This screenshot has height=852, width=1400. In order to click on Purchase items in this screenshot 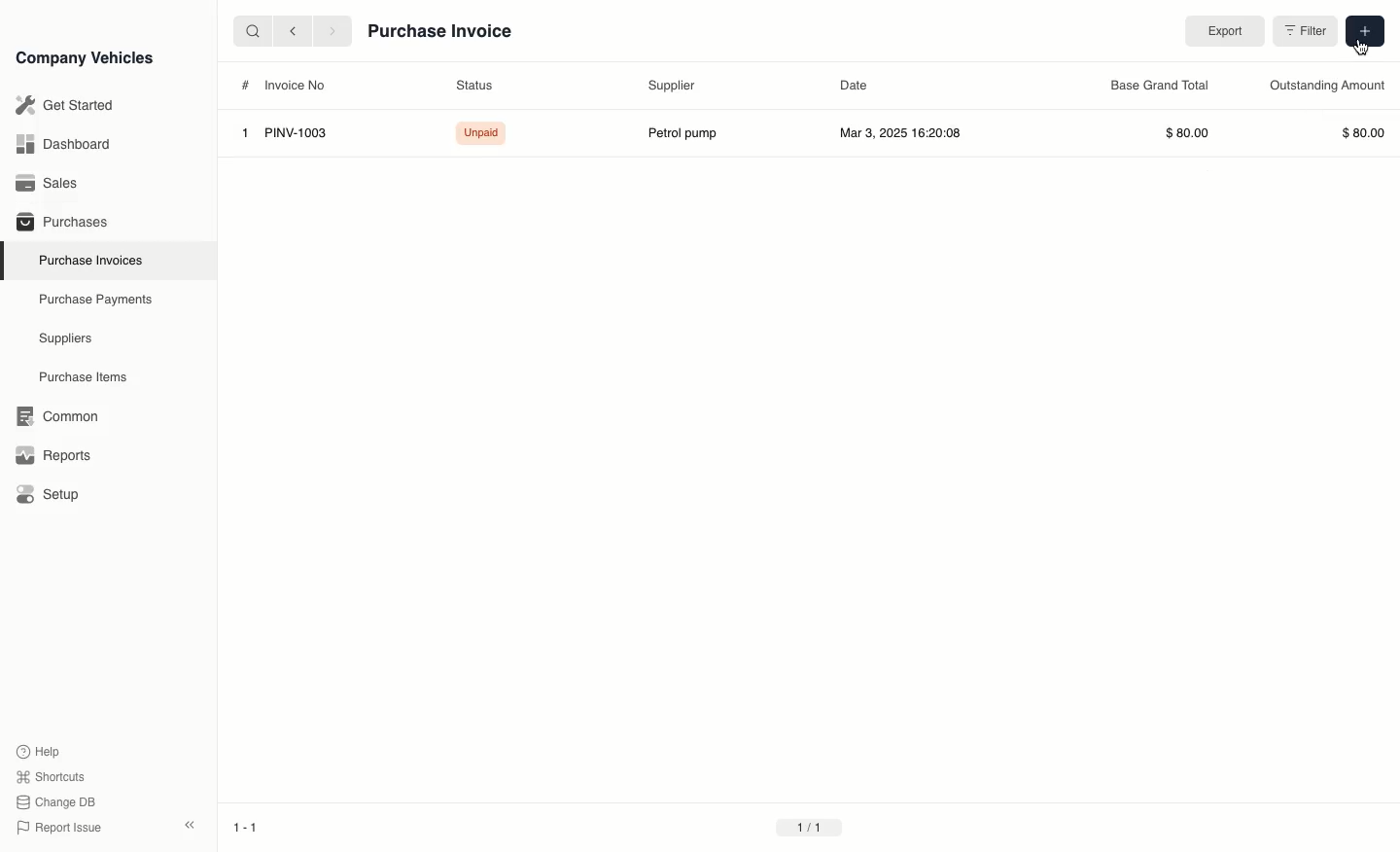, I will do `click(76, 377)`.